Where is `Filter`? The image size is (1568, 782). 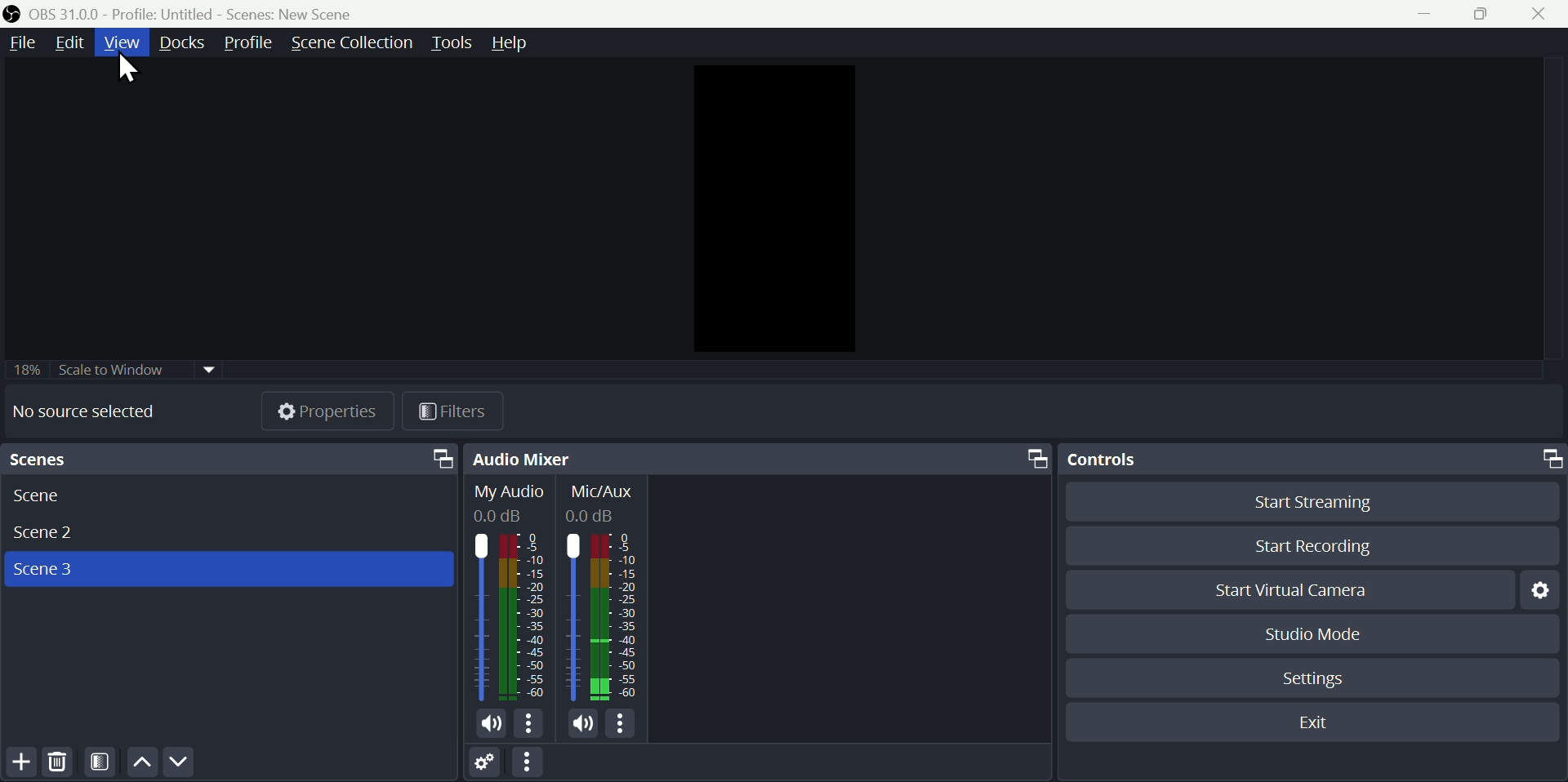
Filter is located at coordinates (101, 764).